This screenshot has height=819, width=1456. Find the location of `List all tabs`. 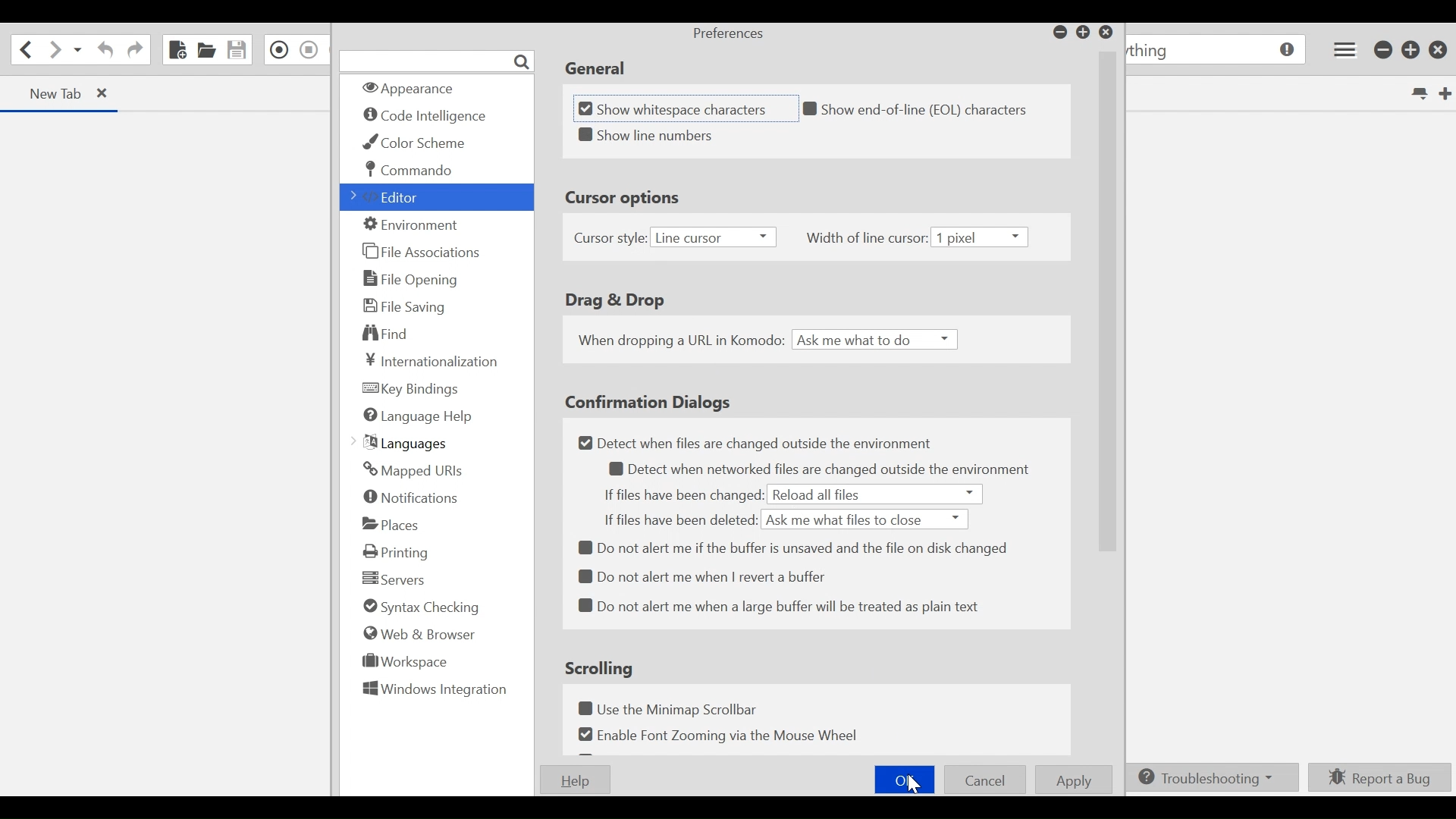

List all tabs is located at coordinates (1420, 92).